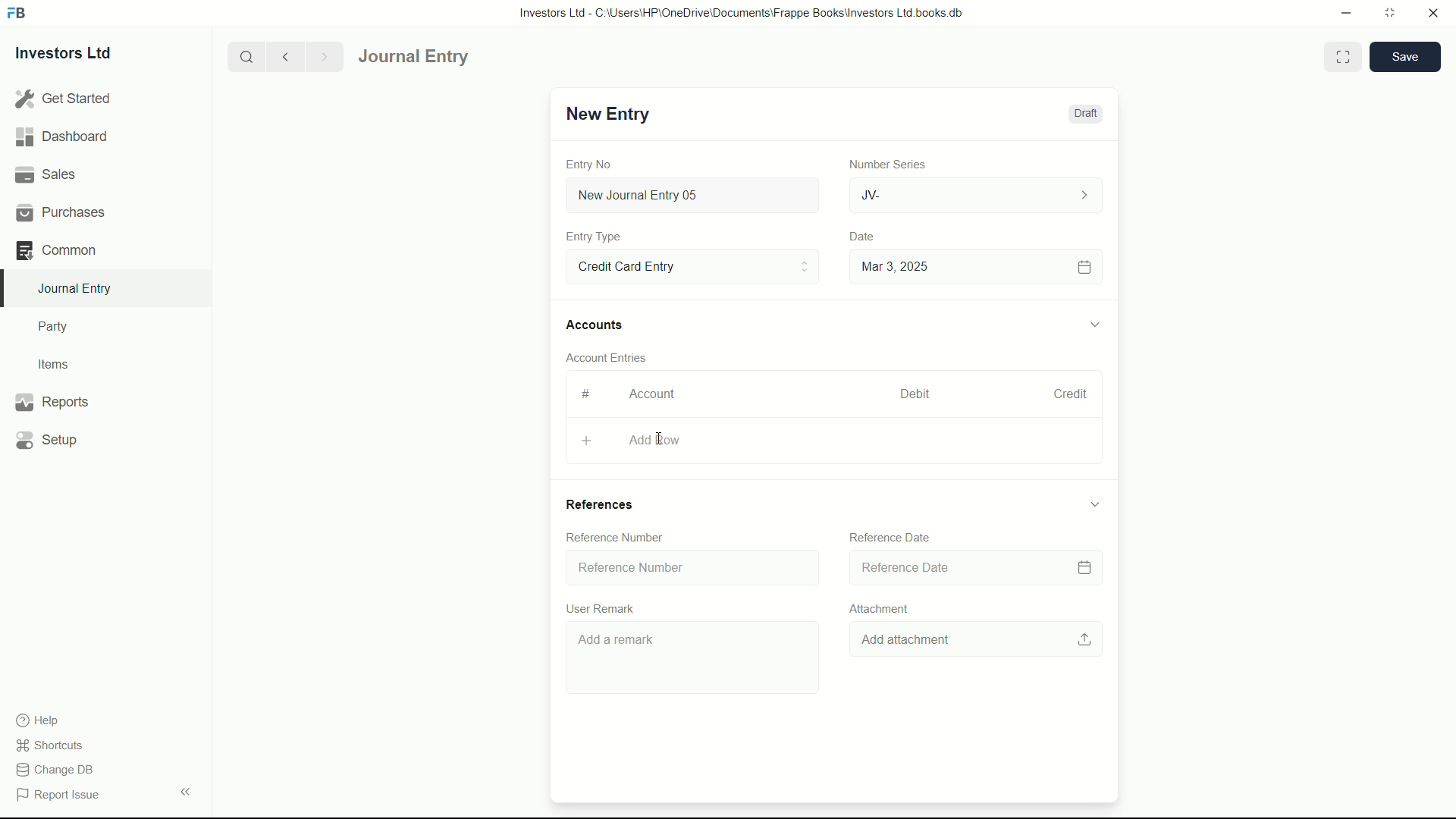 Image resolution: width=1456 pixels, height=819 pixels. I want to click on cursor, so click(658, 438).